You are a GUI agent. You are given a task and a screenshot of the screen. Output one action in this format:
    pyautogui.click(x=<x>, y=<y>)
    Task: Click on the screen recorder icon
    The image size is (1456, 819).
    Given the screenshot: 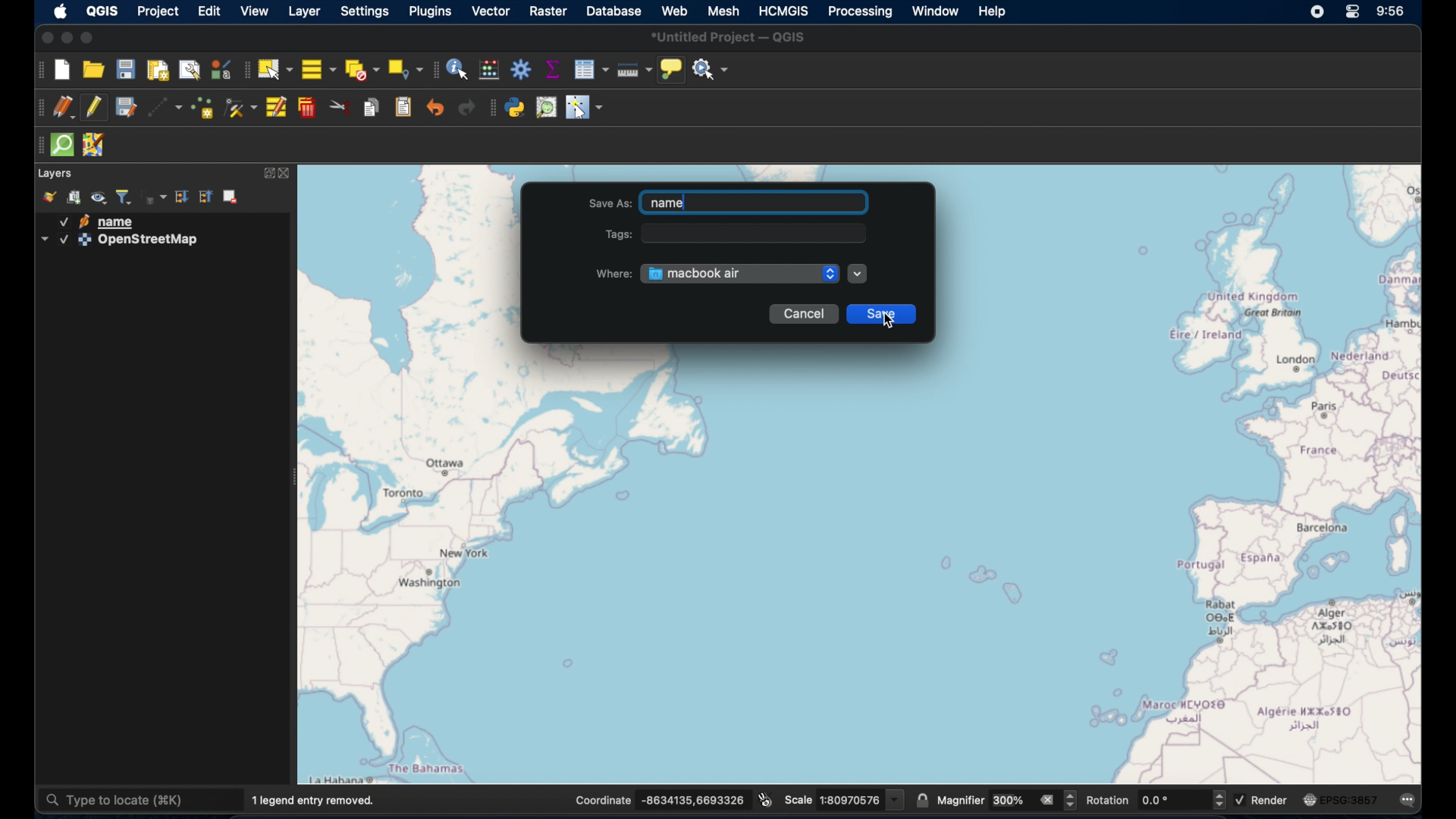 What is the action you would take?
    pyautogui.click(x=1316, y=13)
    